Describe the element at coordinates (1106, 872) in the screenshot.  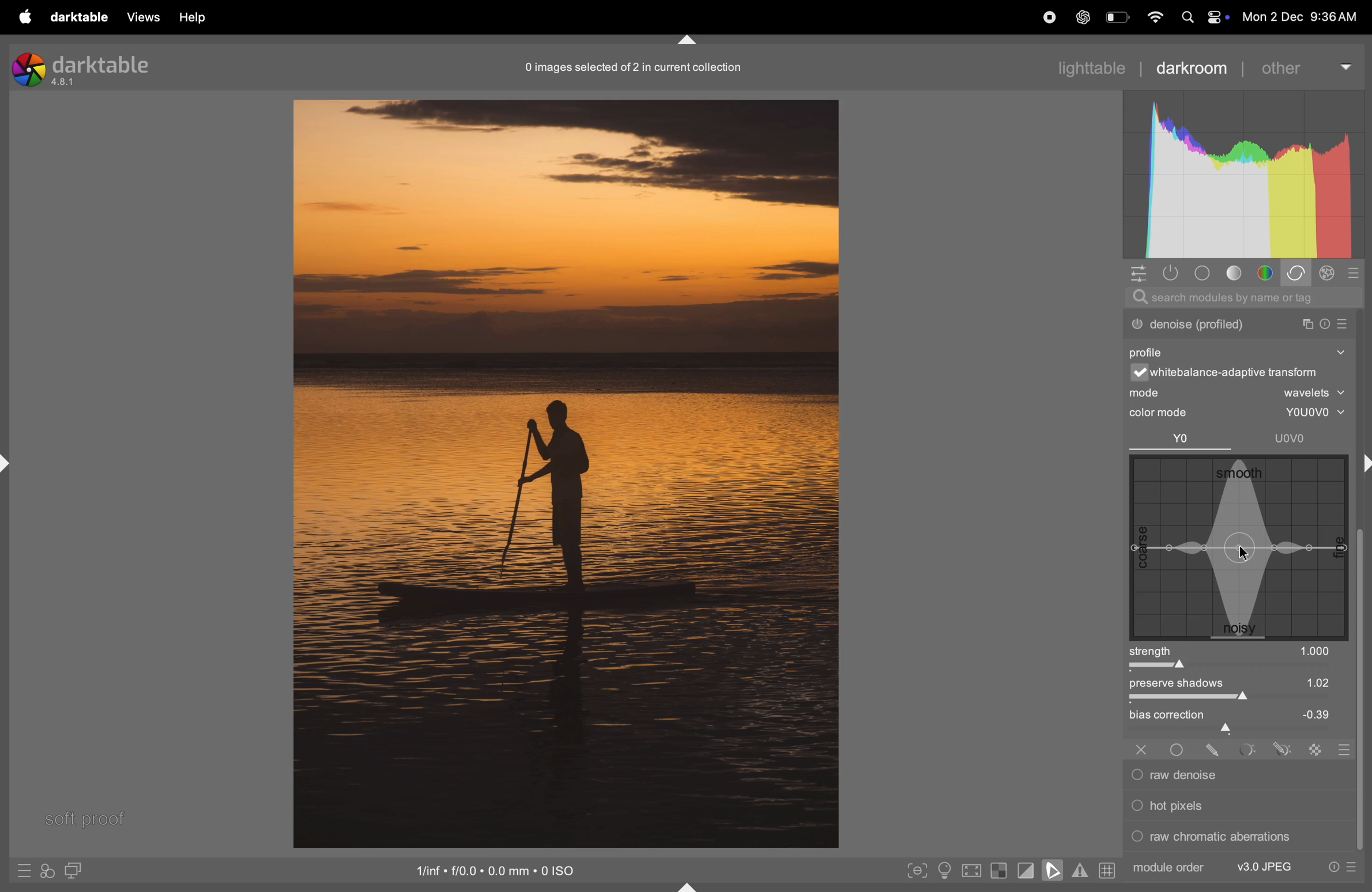
I see `grid` at that location.